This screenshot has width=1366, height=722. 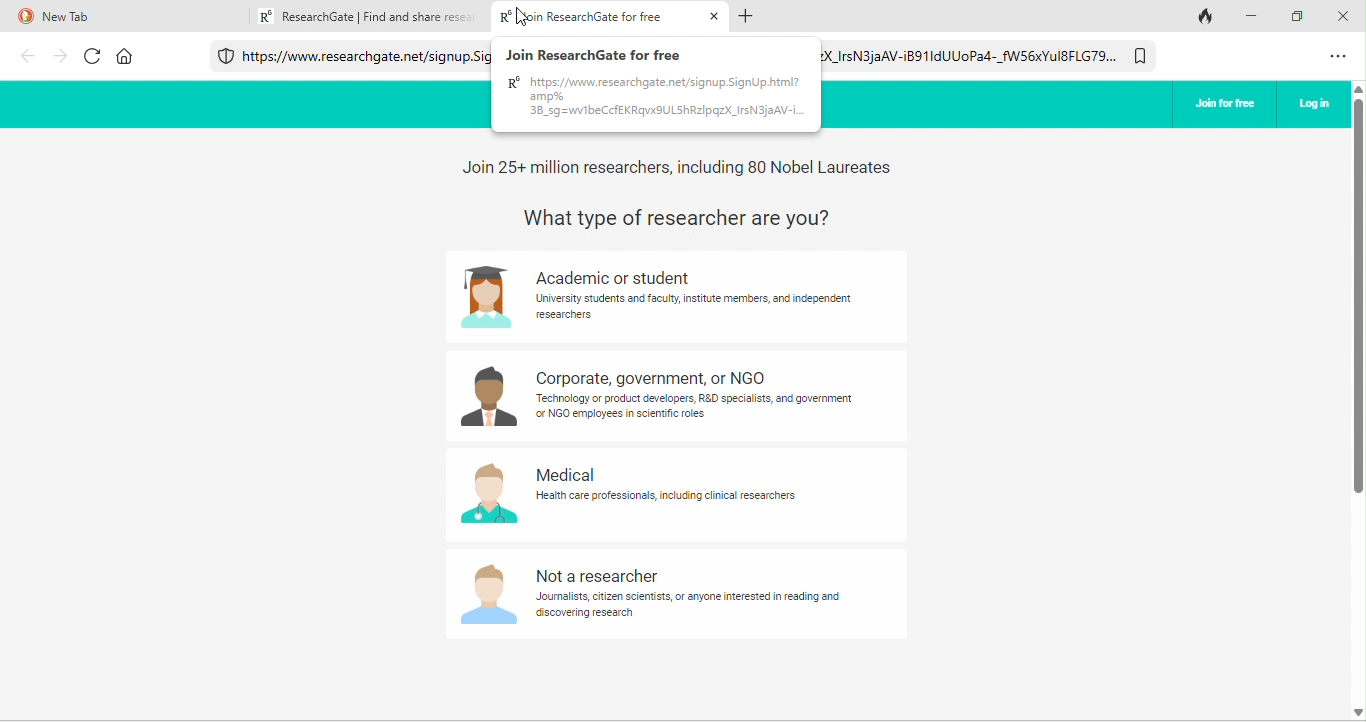 I want to click on add, so click(x=749, y=15).